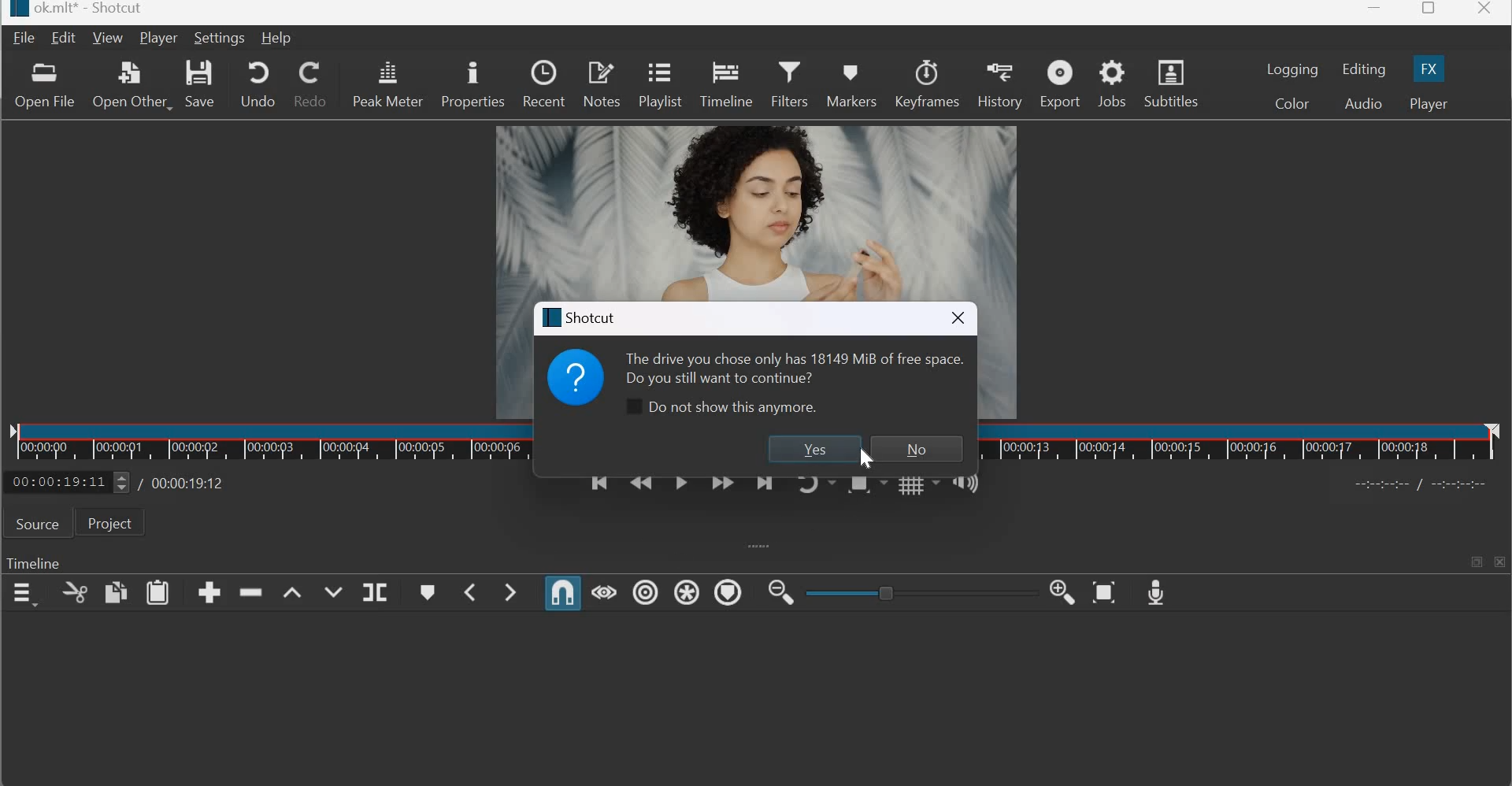 This screenshot has width=1512, height=786. I want to click on Create/edit marker, so click(427, 592).